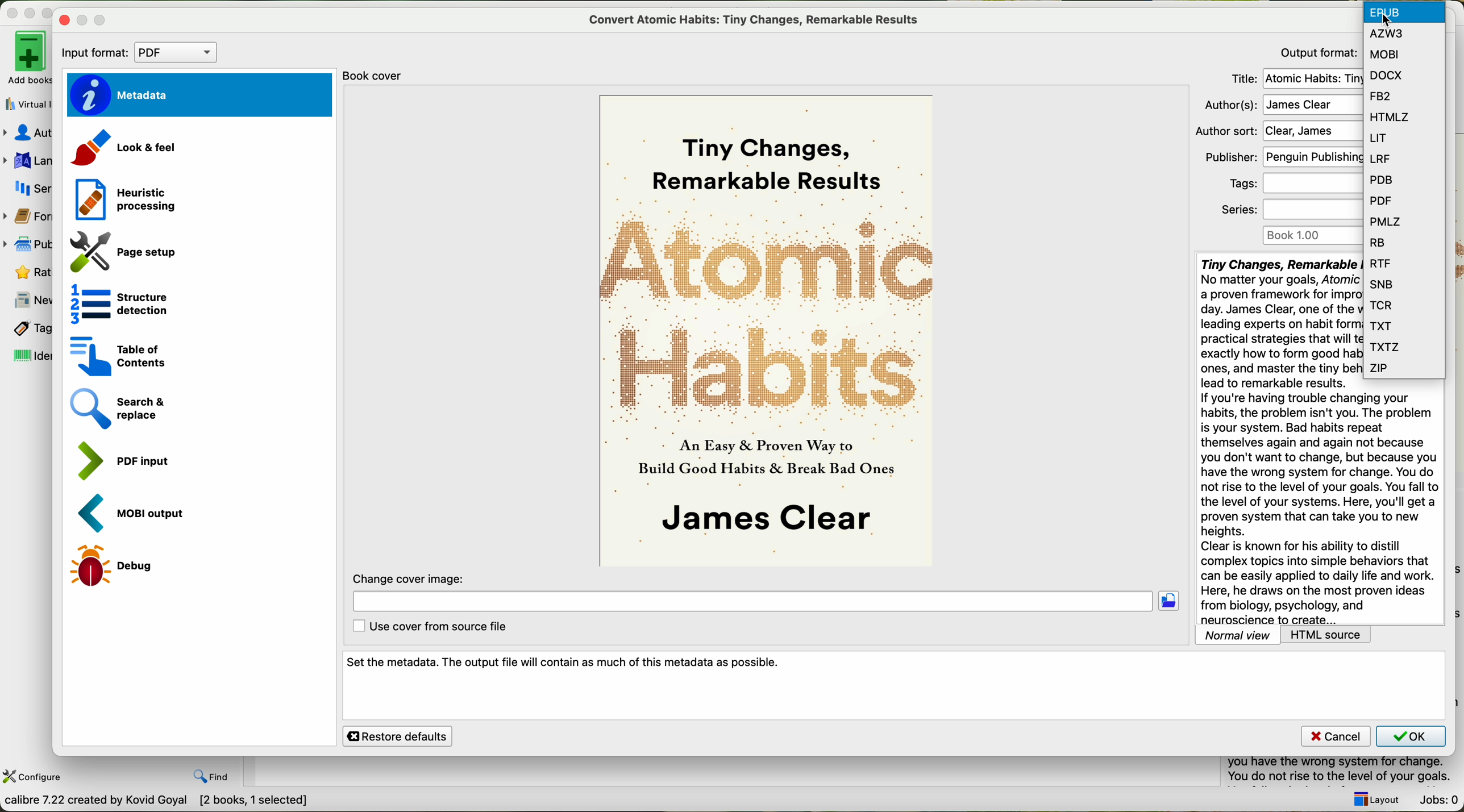 This screenshot has width=1464, height=812. I want to click on RB, so click(1405, 240).